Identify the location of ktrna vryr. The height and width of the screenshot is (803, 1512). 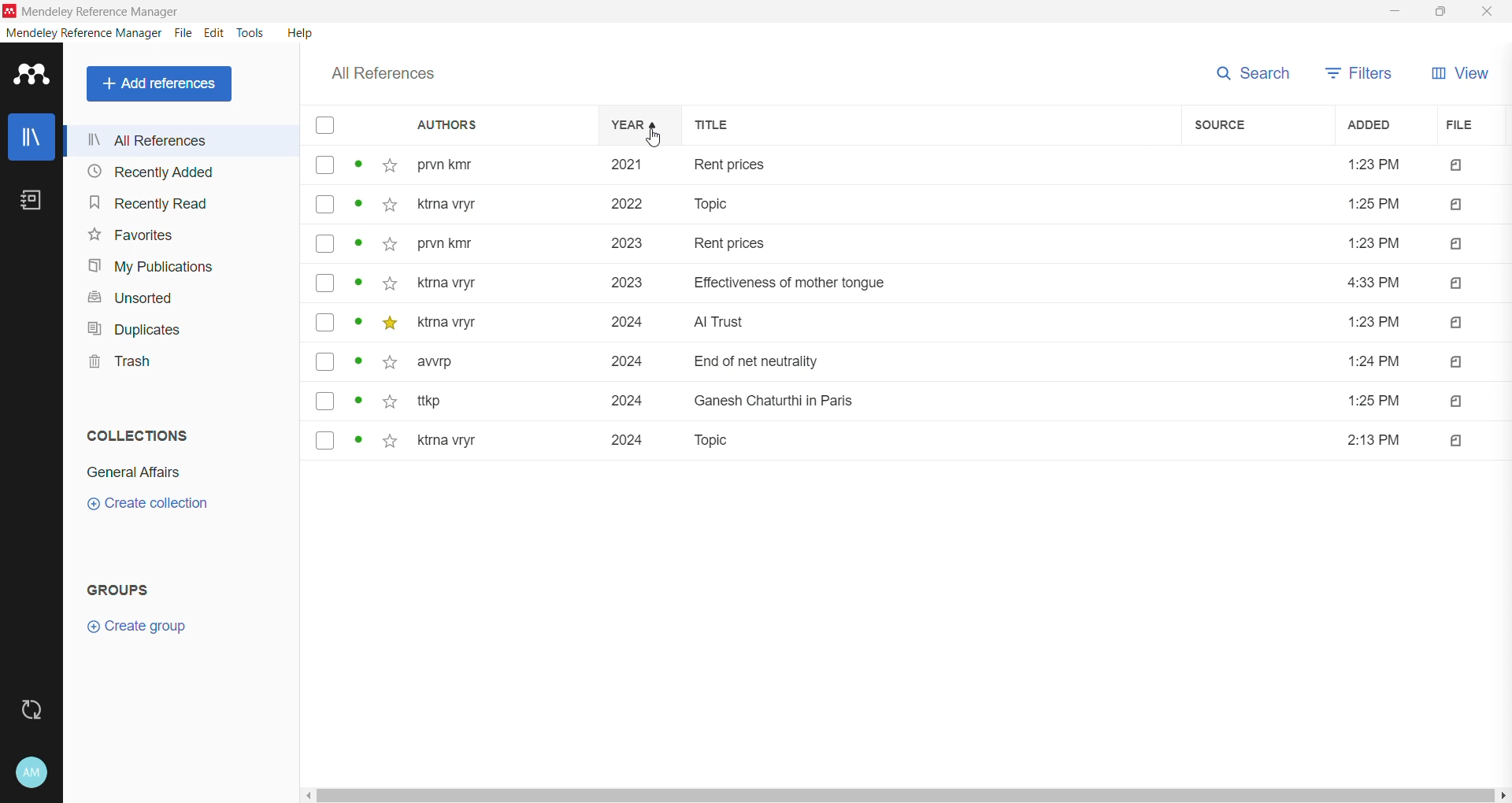
(447, 206).